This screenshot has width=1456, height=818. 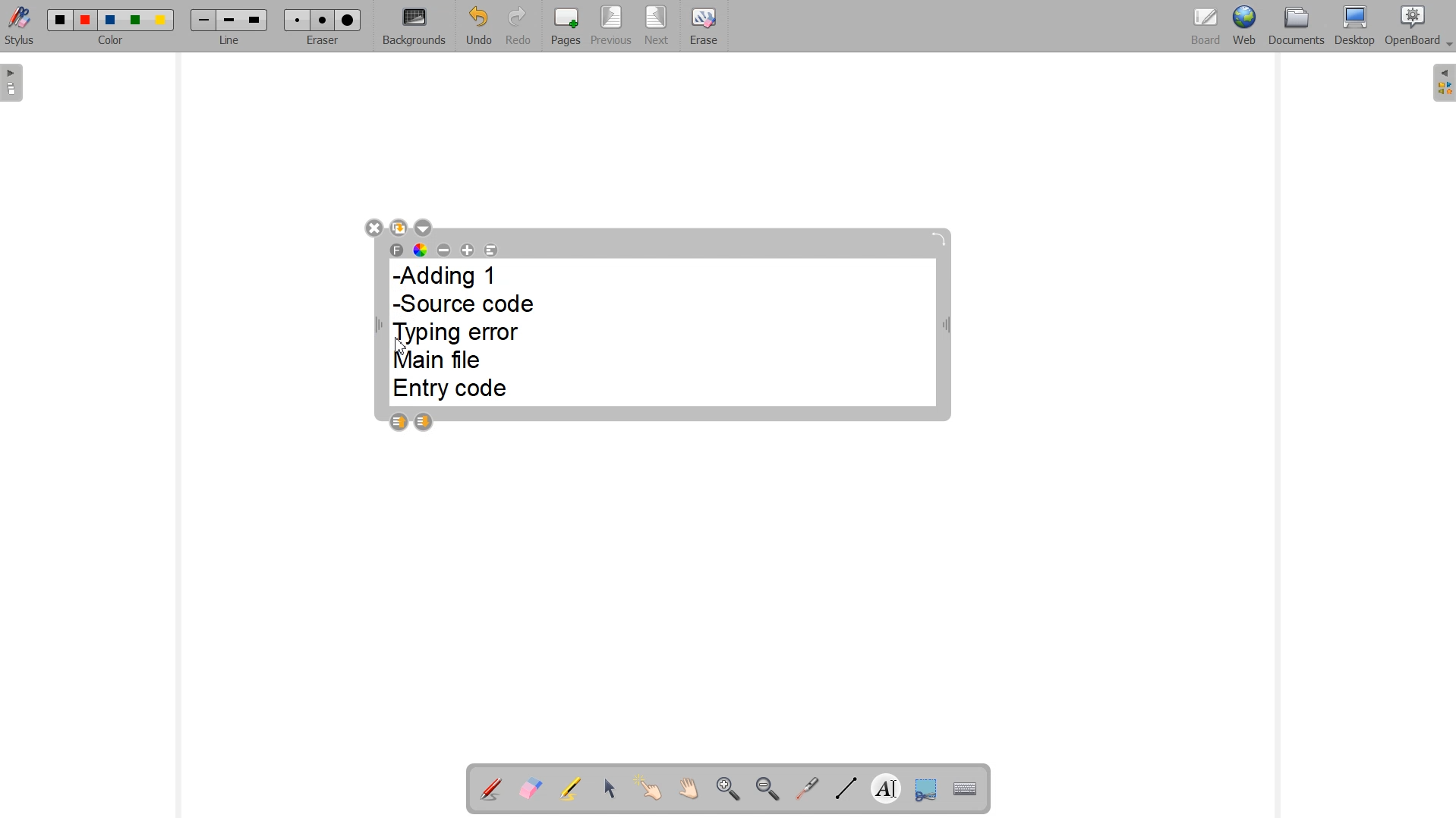 I want to click on OpenBoard, so click(x=1420, y=27).